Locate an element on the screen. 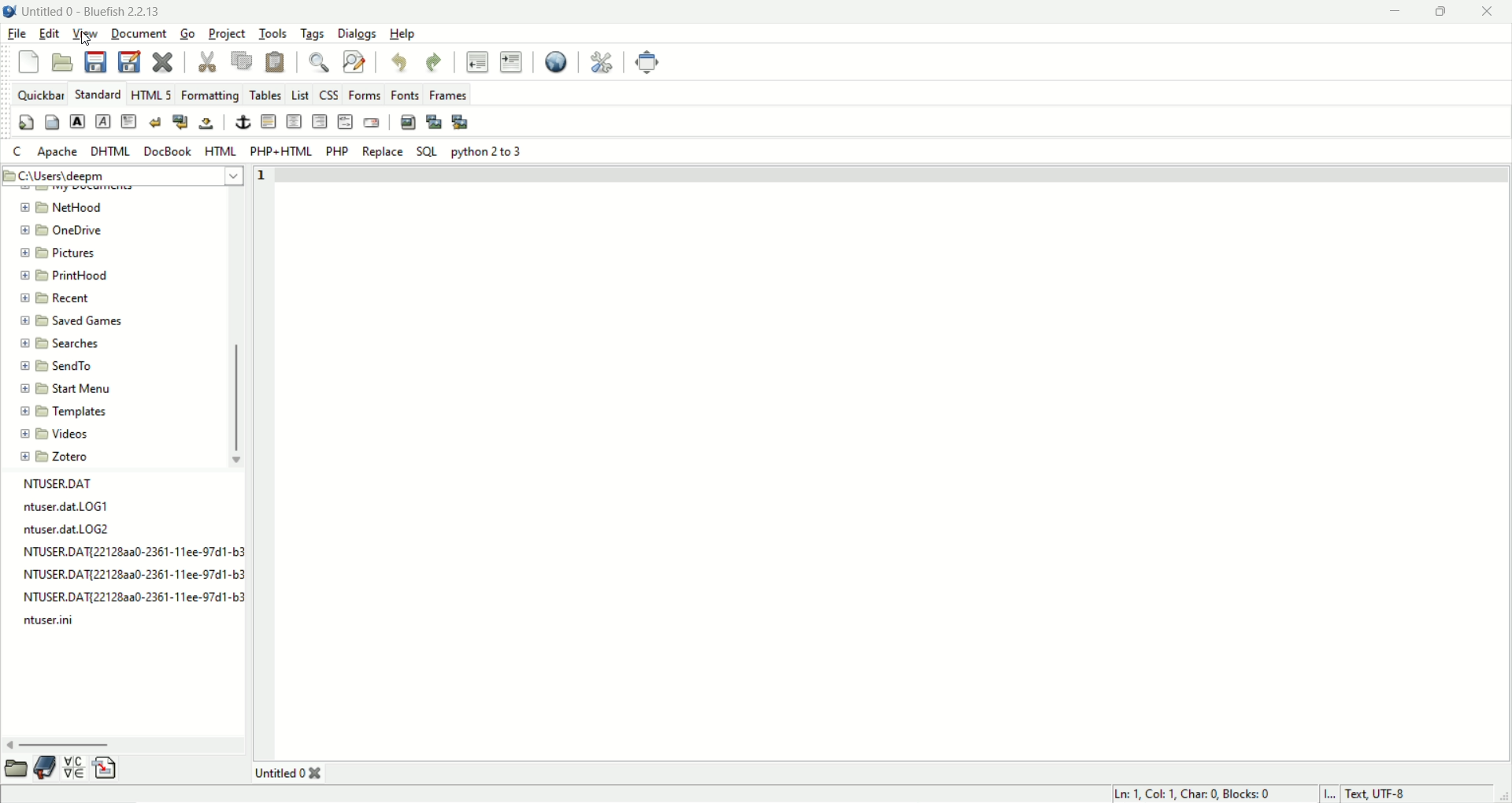  file is located at coordinates (59, 623).